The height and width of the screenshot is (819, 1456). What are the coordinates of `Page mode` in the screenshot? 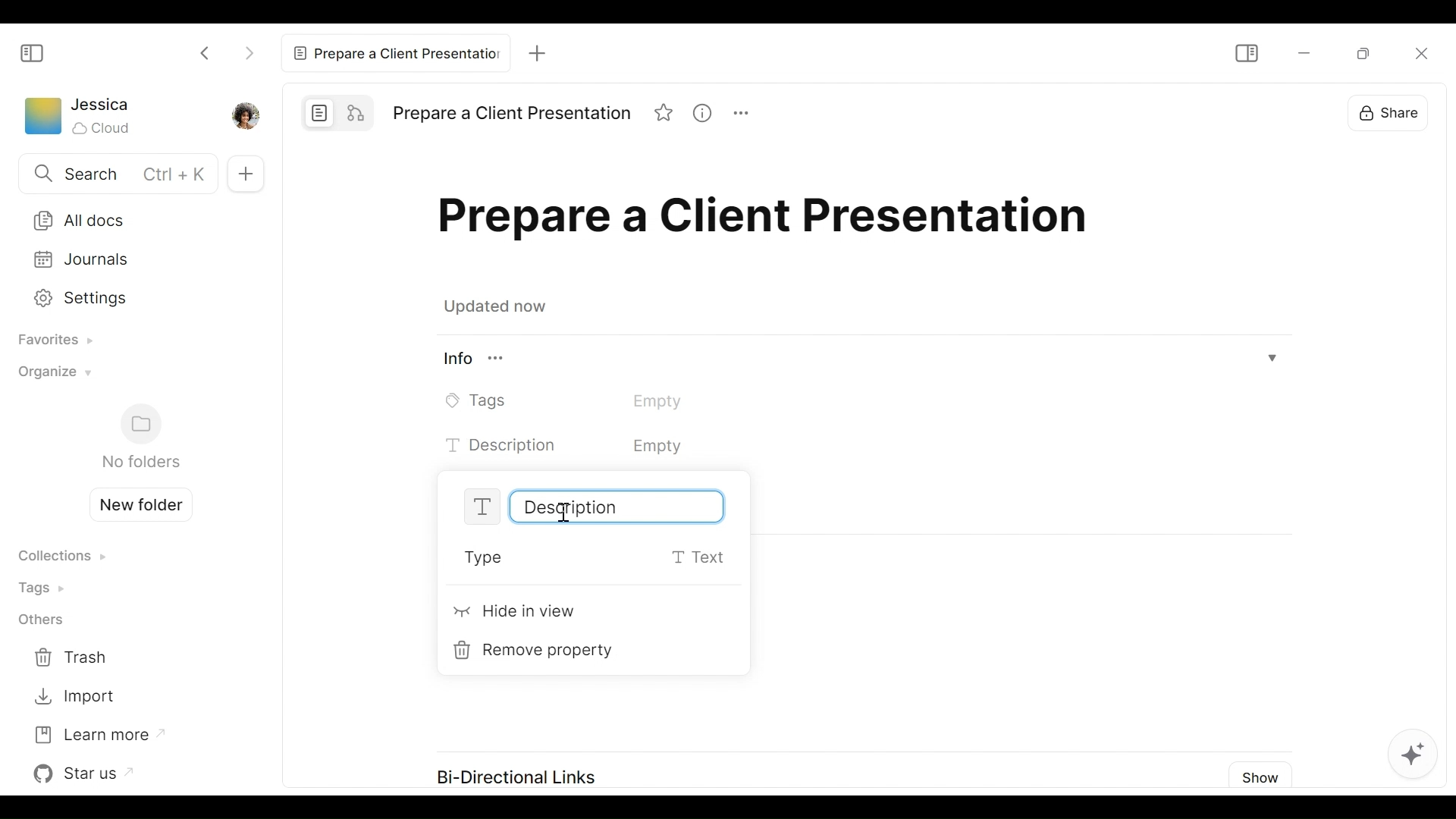 It's located at (320, 112).